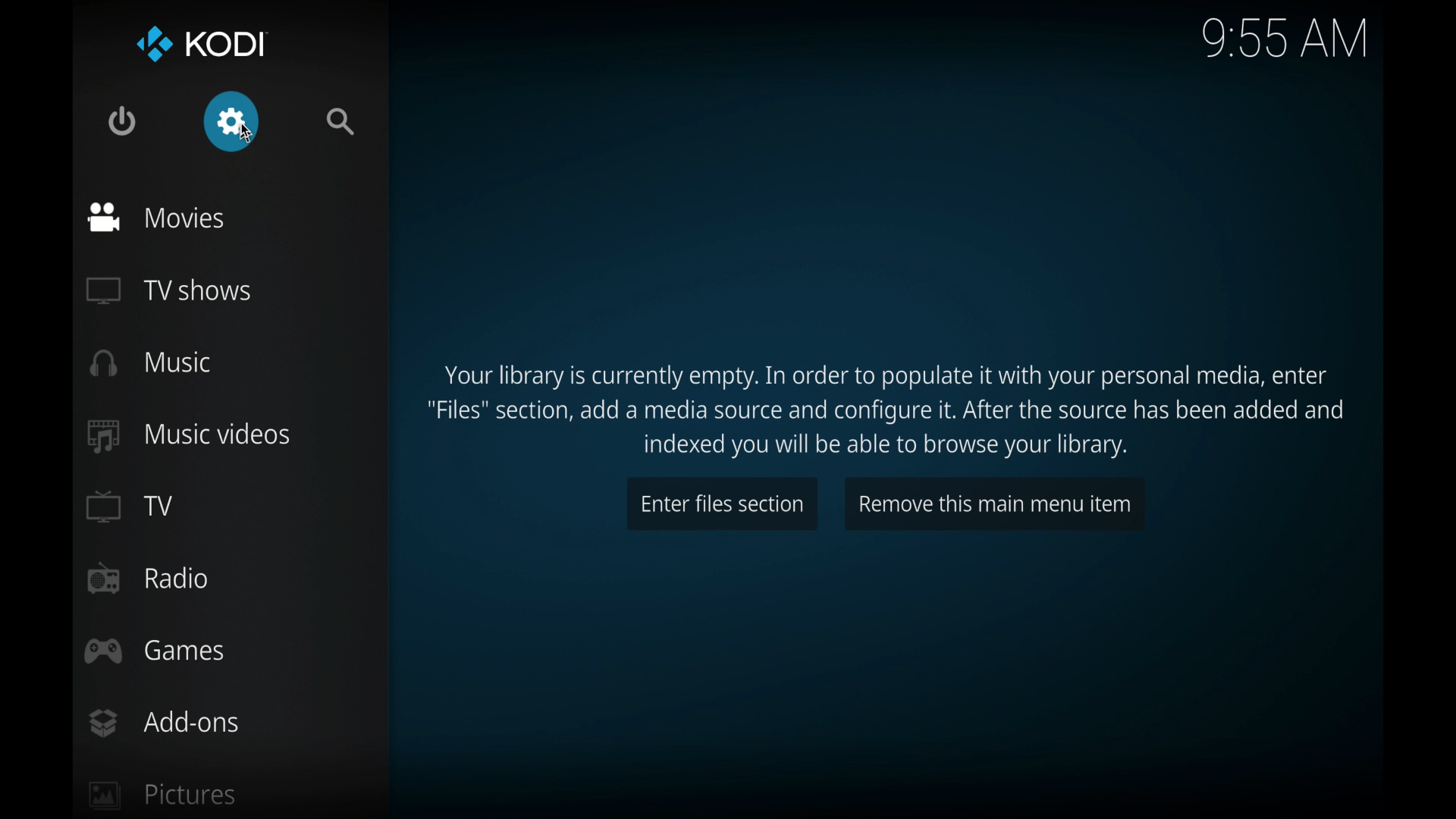 This screenshot has width=1456, height=819. Describe the element at coordinates (163, 723) in the screenshot. I see `add-ons` at that location.